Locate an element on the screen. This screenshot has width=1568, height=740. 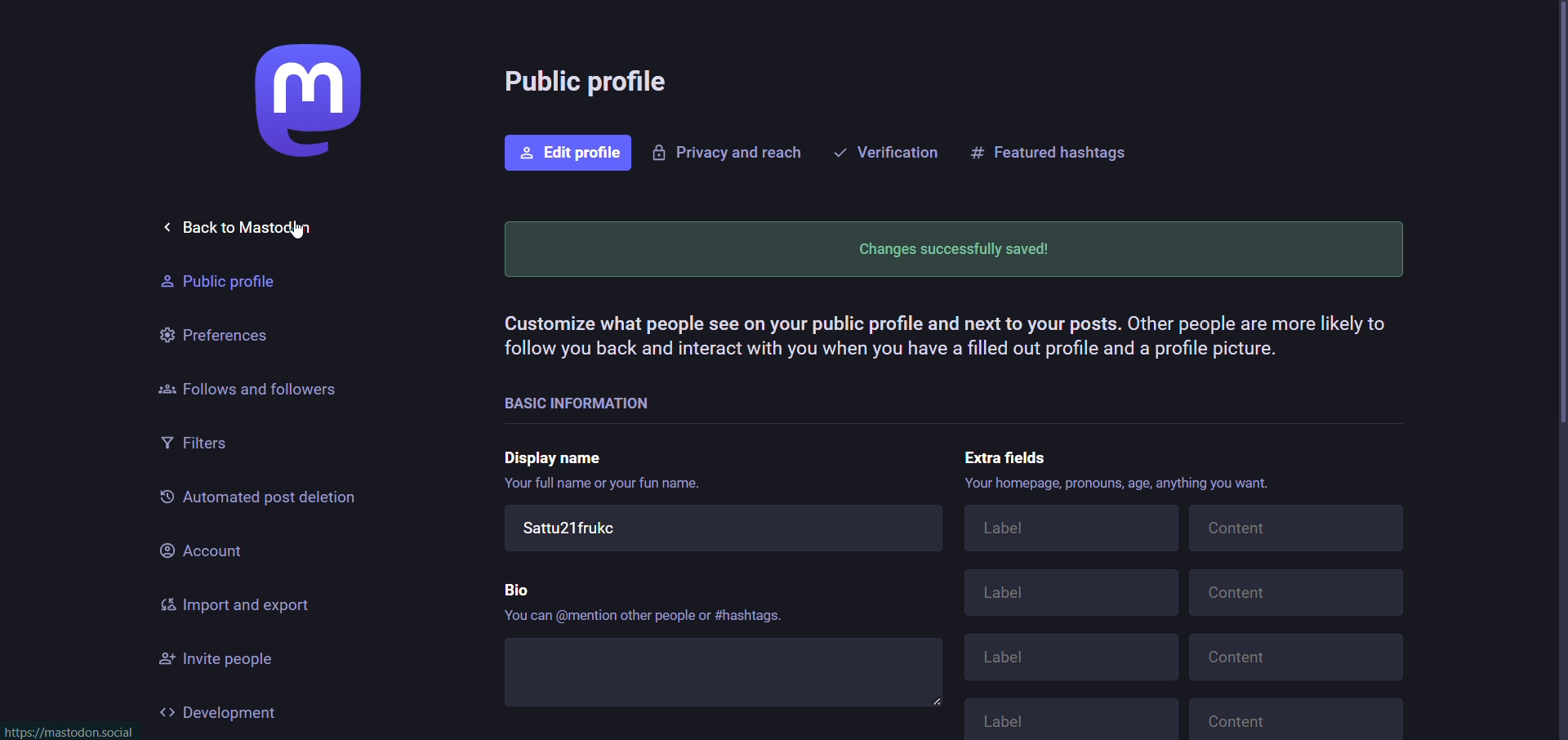
back to mastodon is located at coordinates (253, 225).